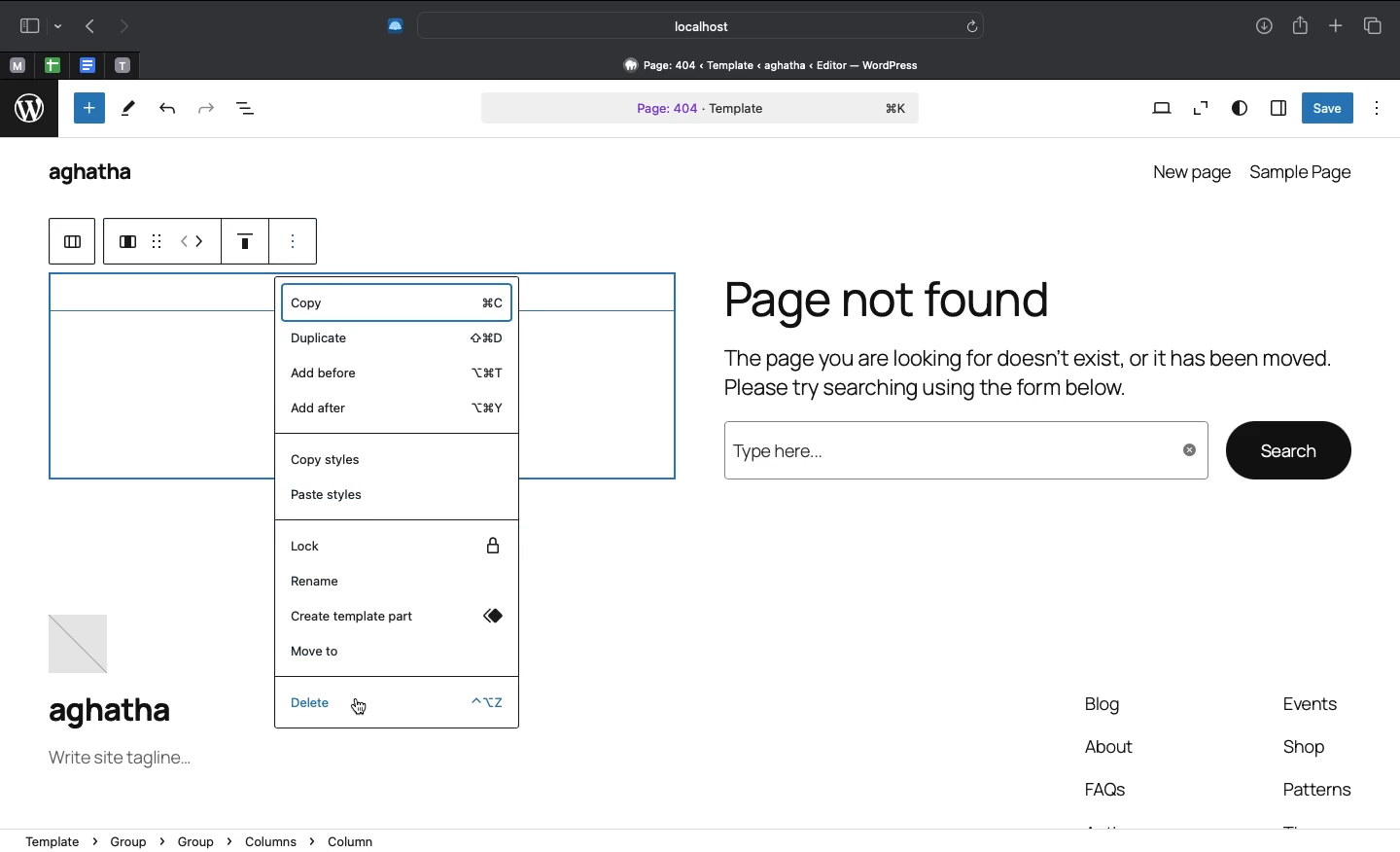  Describe the element at coordinates (69, 243) in the screenshot. I see `ungroup` at that location.